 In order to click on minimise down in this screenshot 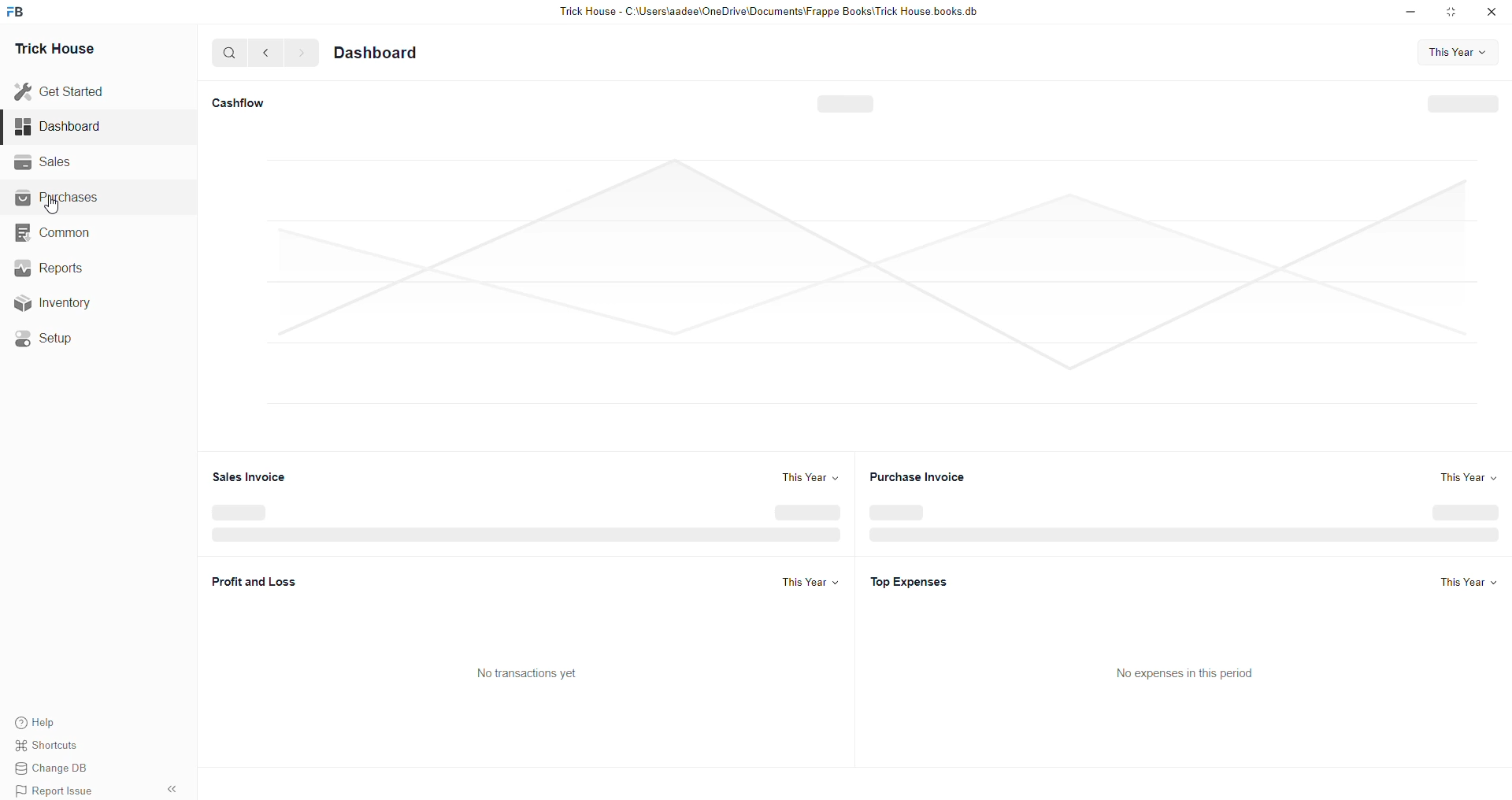, I will do `click(1408, 12)`.